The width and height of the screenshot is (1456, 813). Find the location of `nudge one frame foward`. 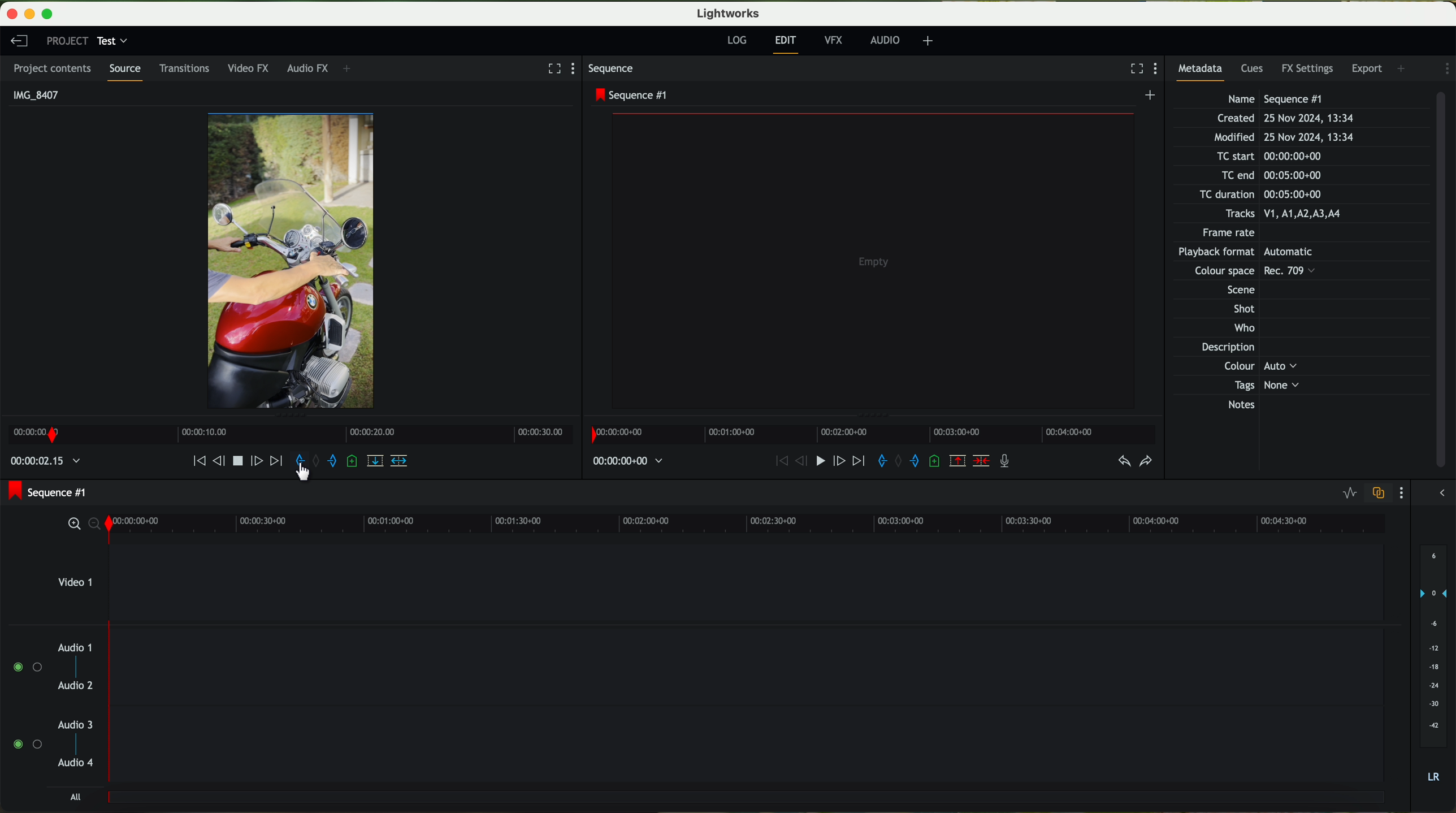

nudge one frame foward is located at coordinates (836, 461).